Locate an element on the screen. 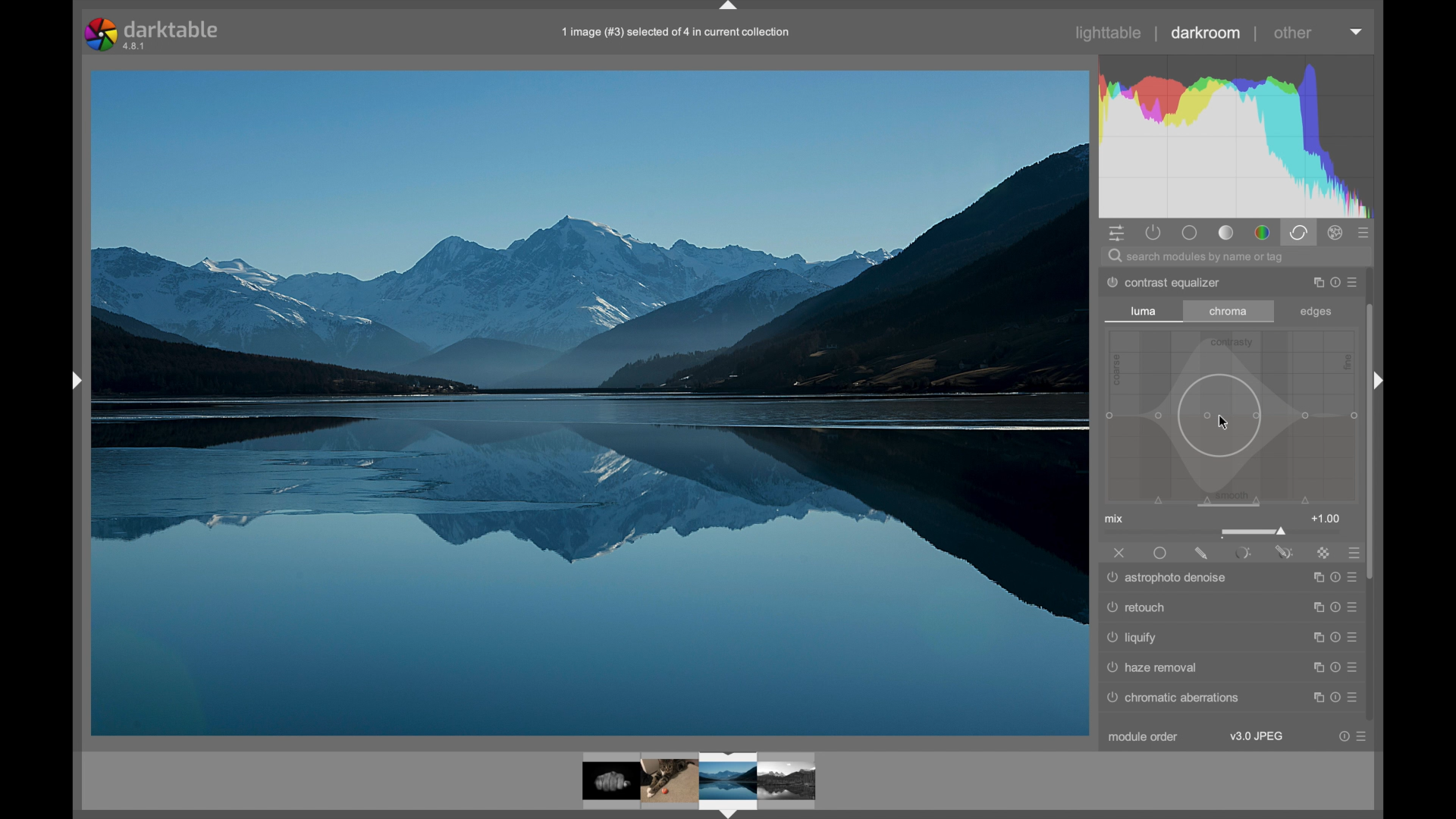 The height and width of the screenshot is (819, 1456). raw denoise is located at coordinates (1150, 667).